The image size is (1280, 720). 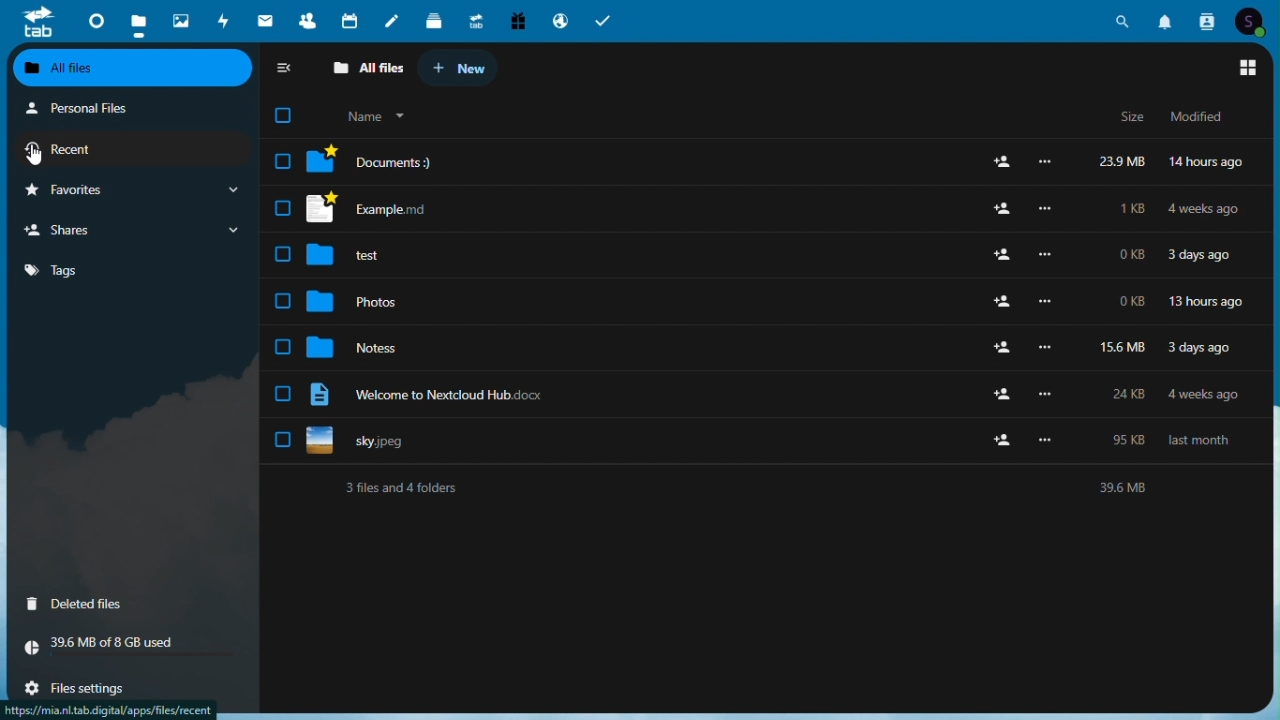 I want to click on checkbox, so click(x=283, y=301).